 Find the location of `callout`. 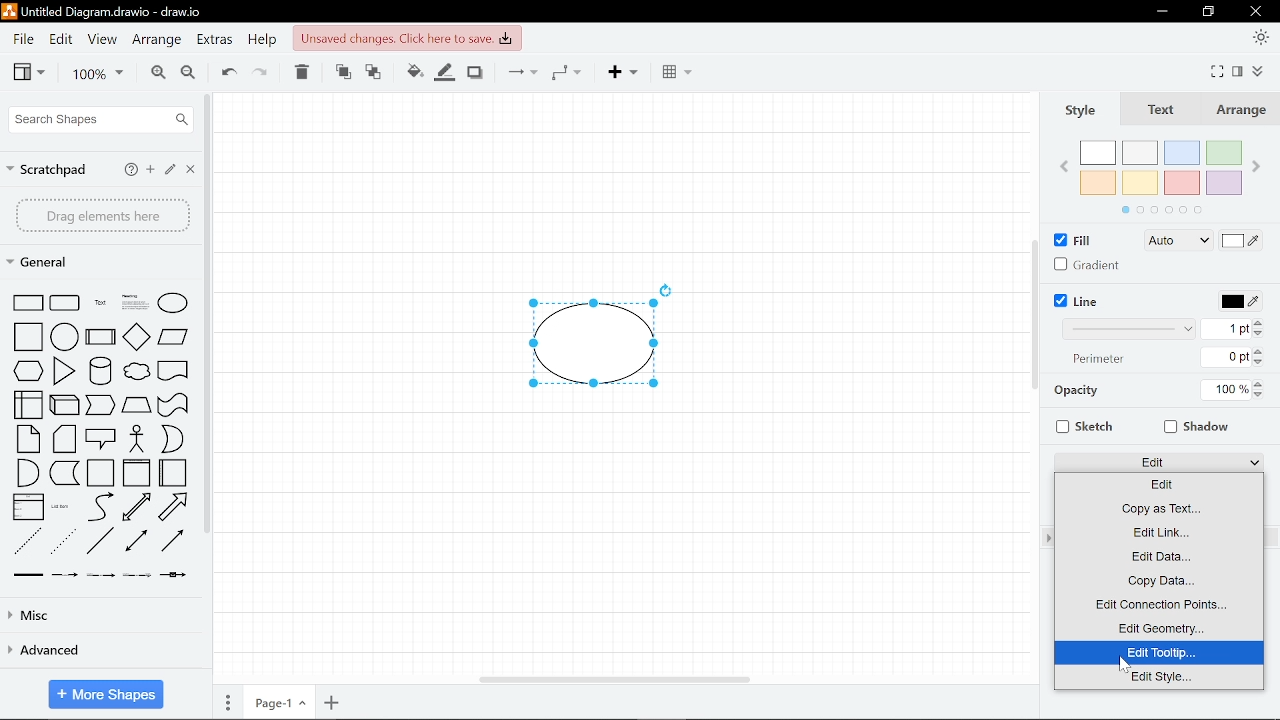

callout is located at coordinates (101, 440).